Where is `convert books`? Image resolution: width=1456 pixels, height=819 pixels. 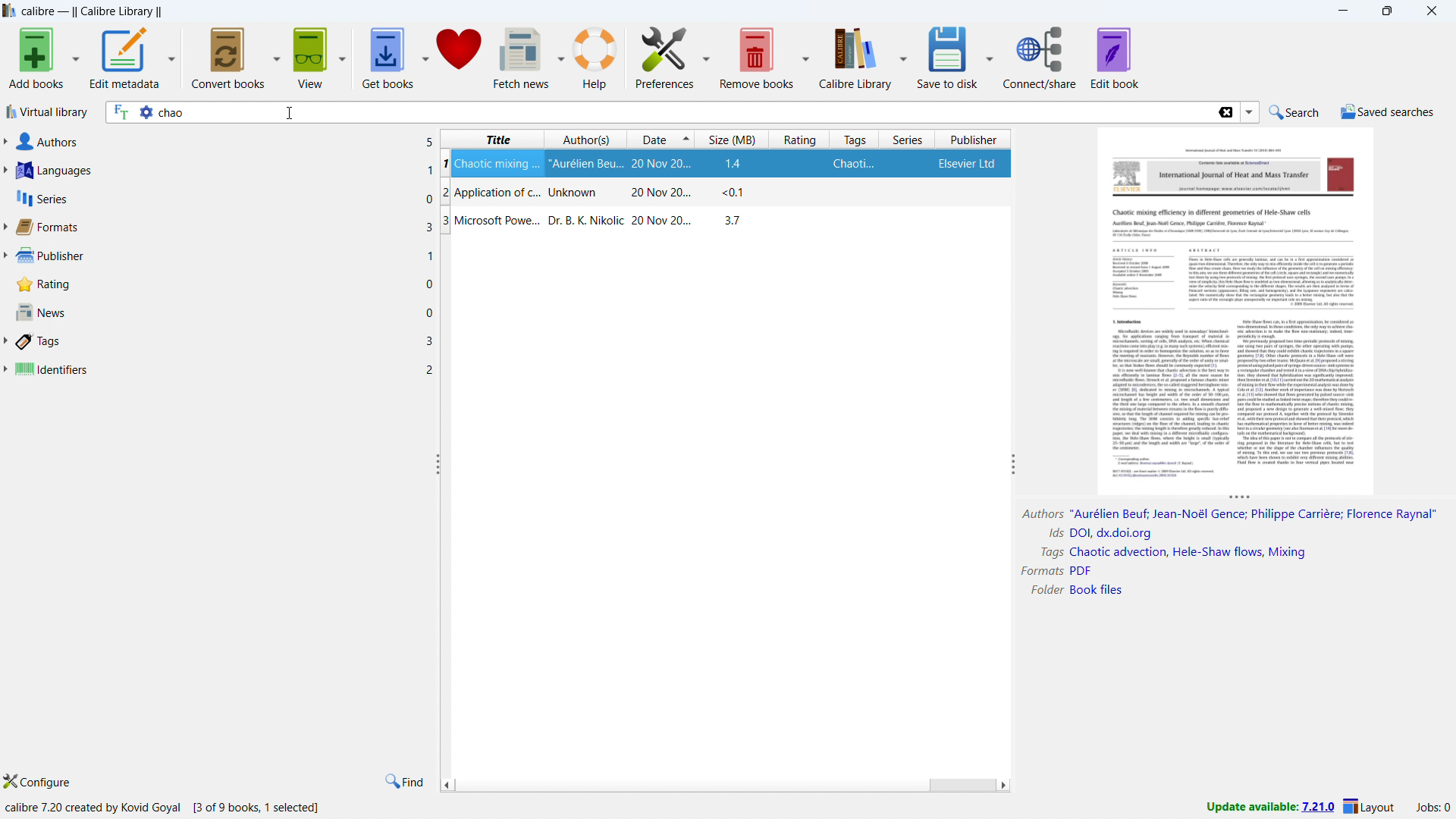 convert books is located at coordinates (229, 56).